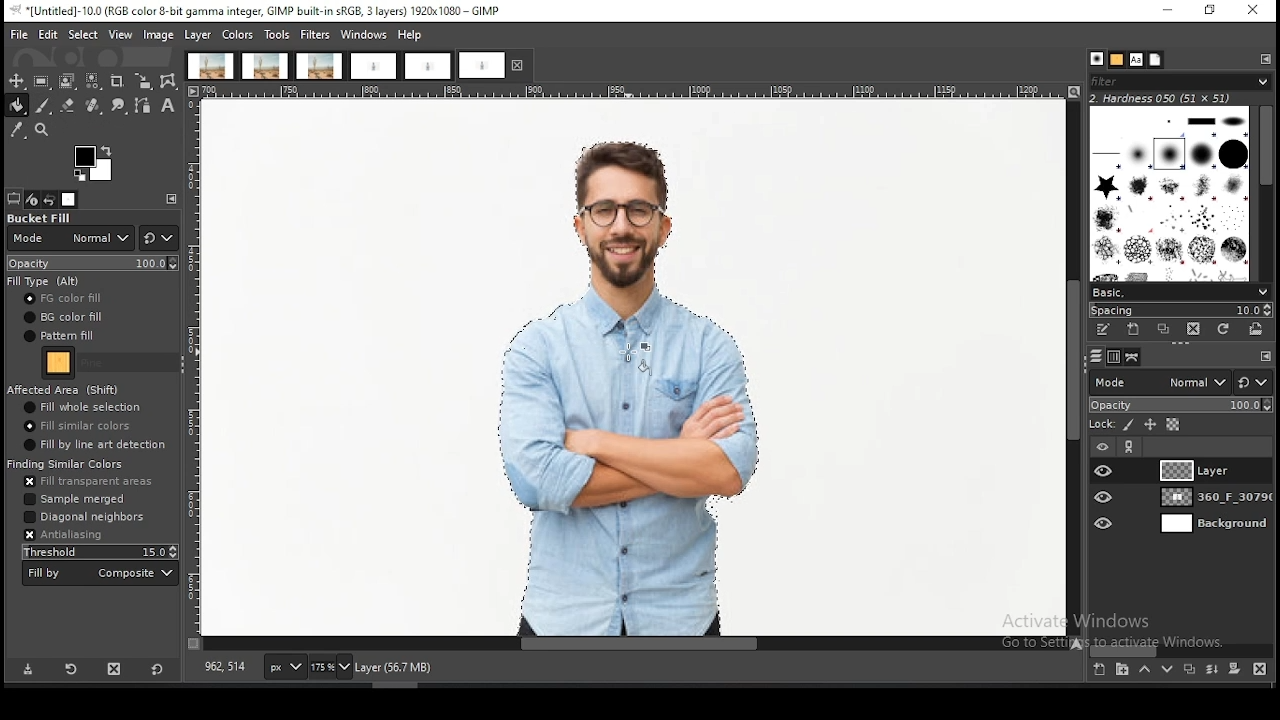 The image size is (1280, 720). I want to click on brush presets, so click(1179, 293).